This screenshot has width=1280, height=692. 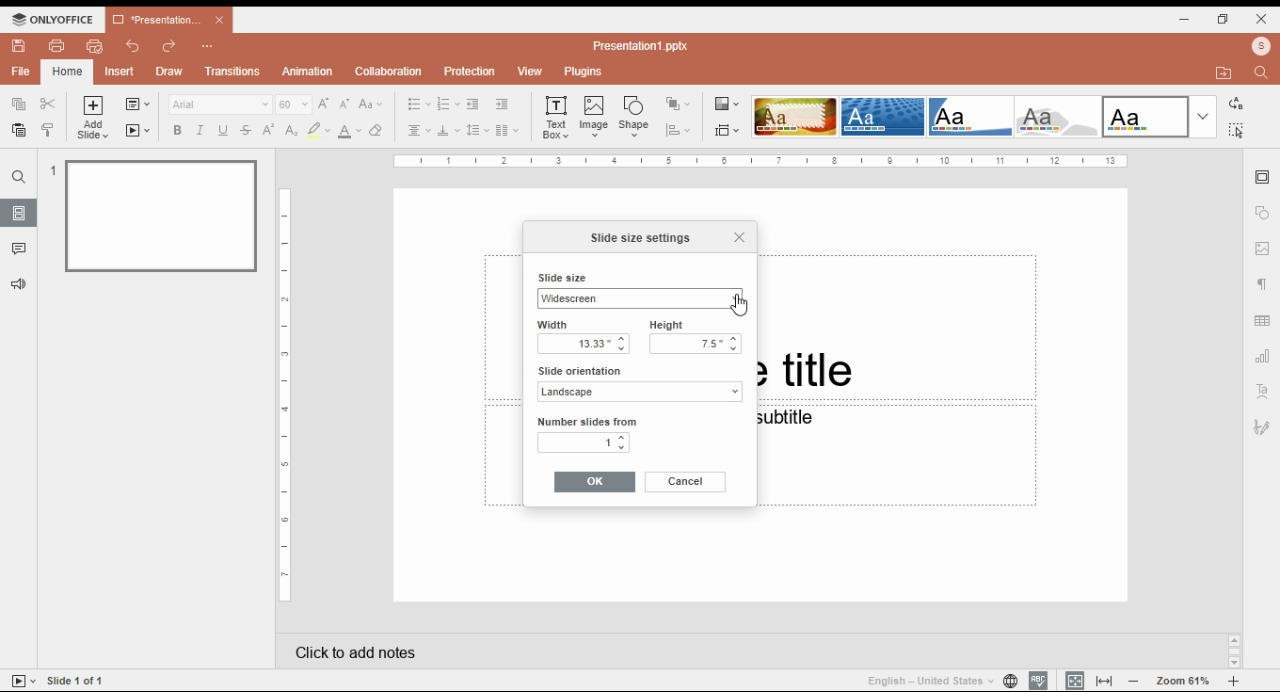 I want to click on plugins, so click(x=584, y=72).